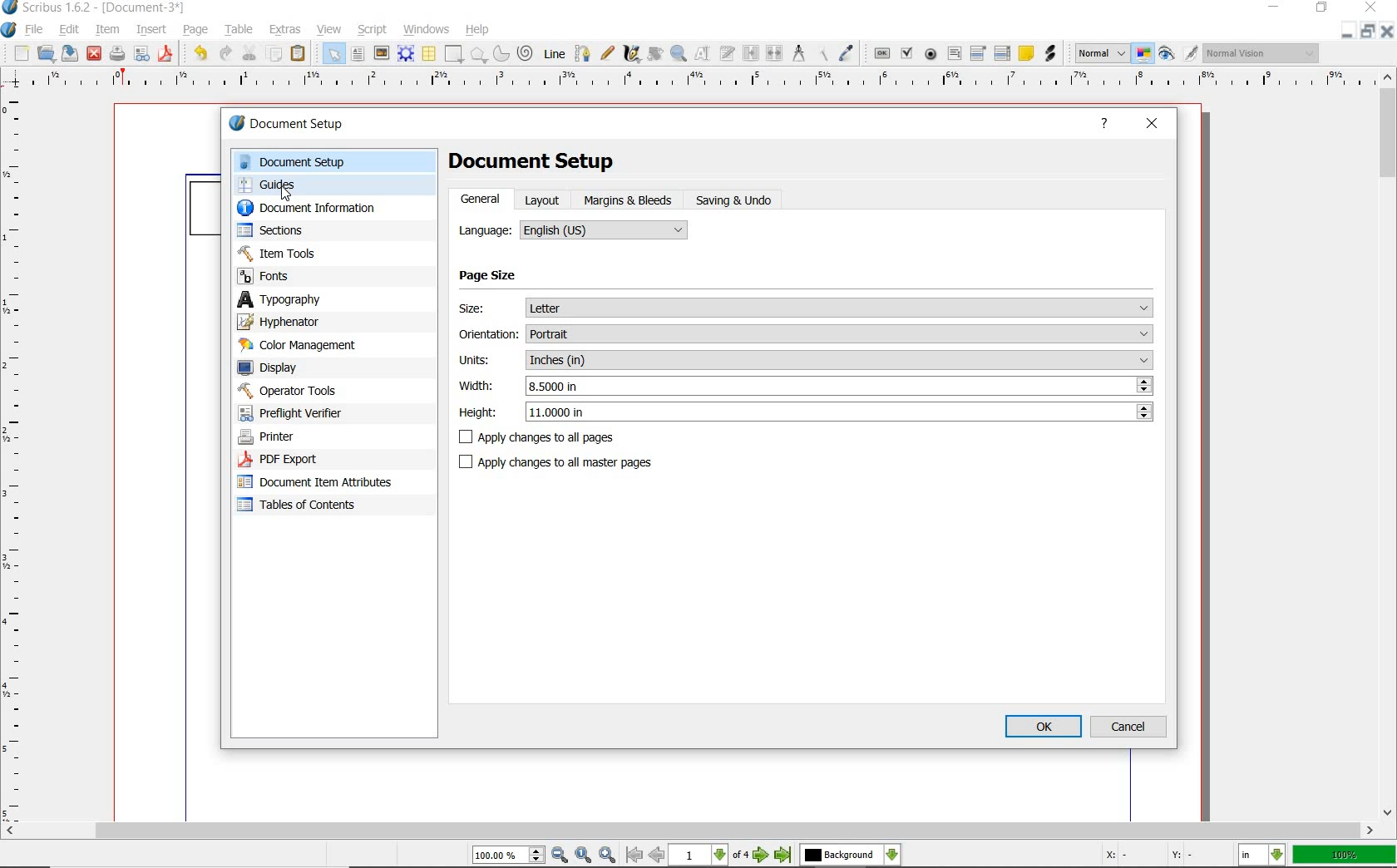 The image size is (1397, 868). Describe the element at coordinates (195, 31) in the screenshot. I see `page` at that location.